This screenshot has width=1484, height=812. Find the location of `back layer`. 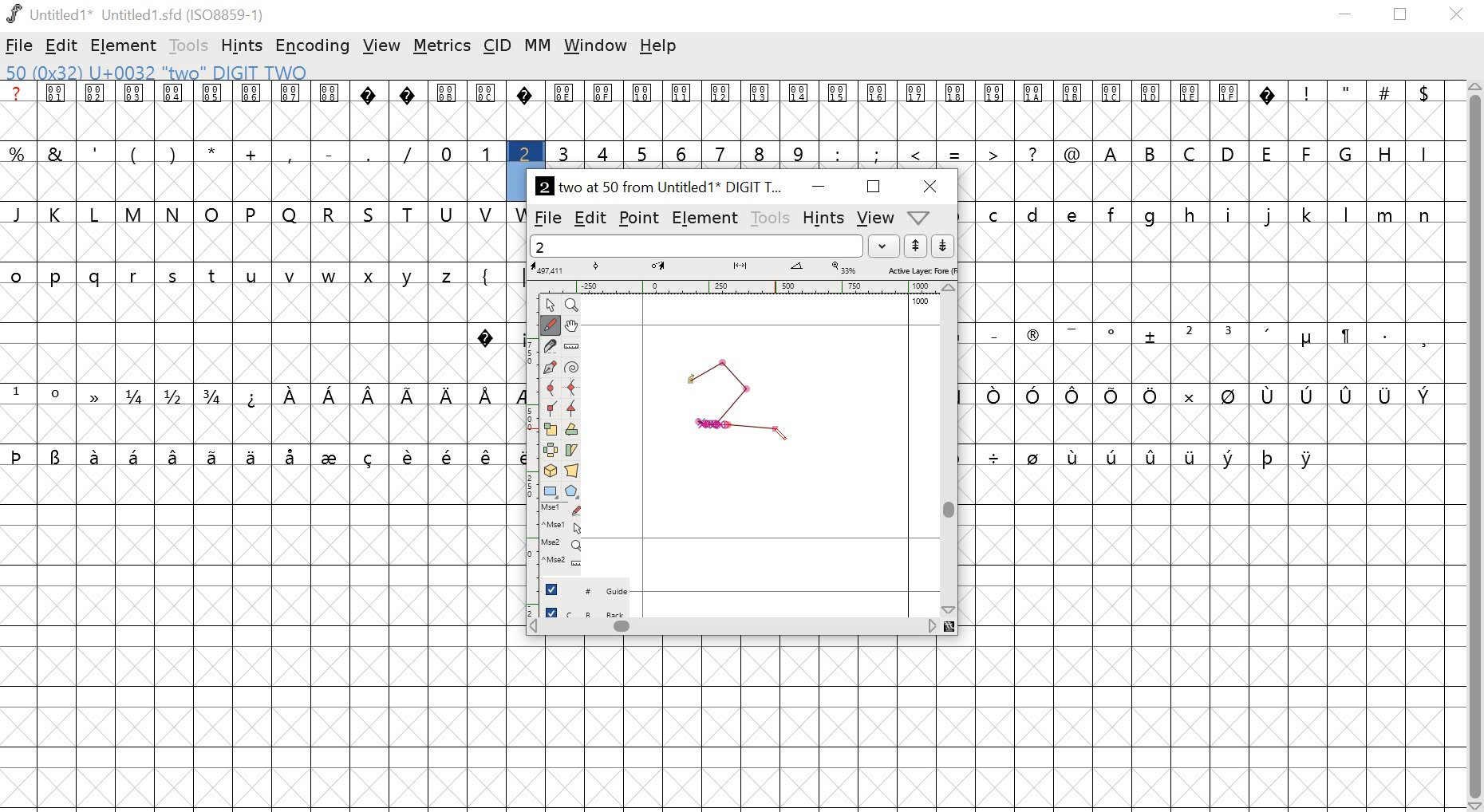

back layer is located at coordinates (590, 609).